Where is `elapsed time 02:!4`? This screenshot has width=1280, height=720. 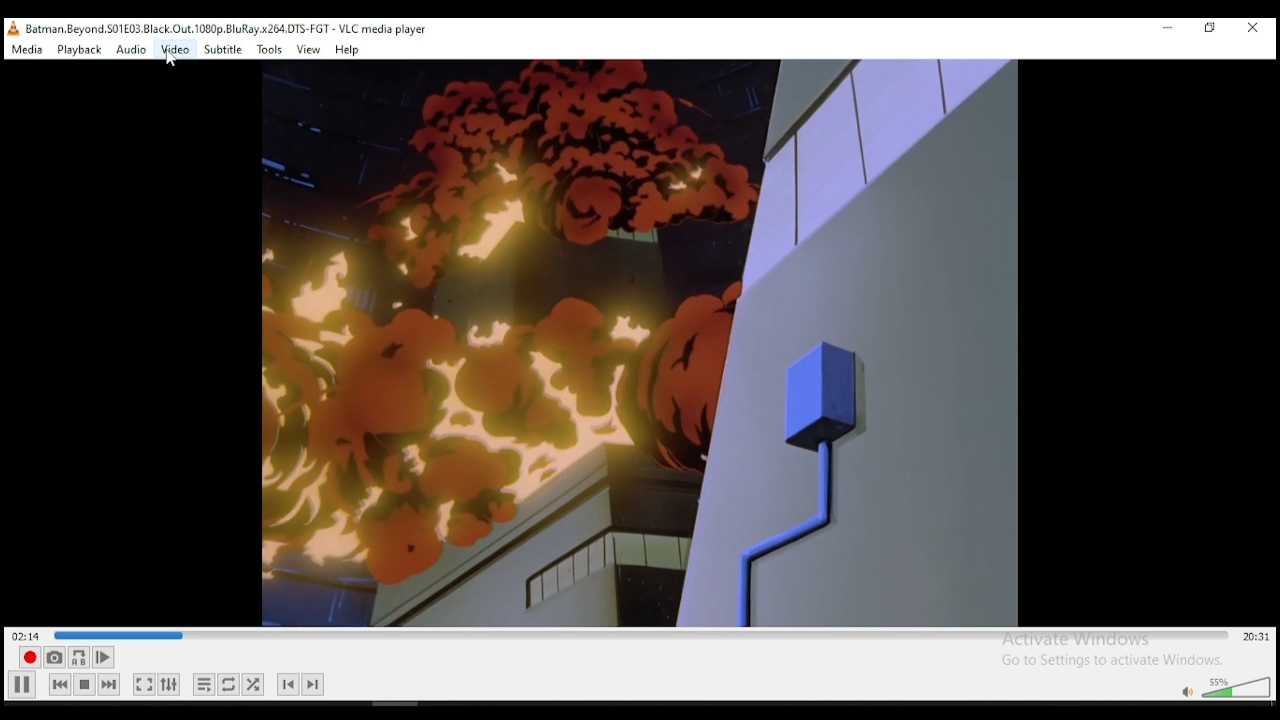 elapsed time 02:!4 is located at coordinates (29, 635).